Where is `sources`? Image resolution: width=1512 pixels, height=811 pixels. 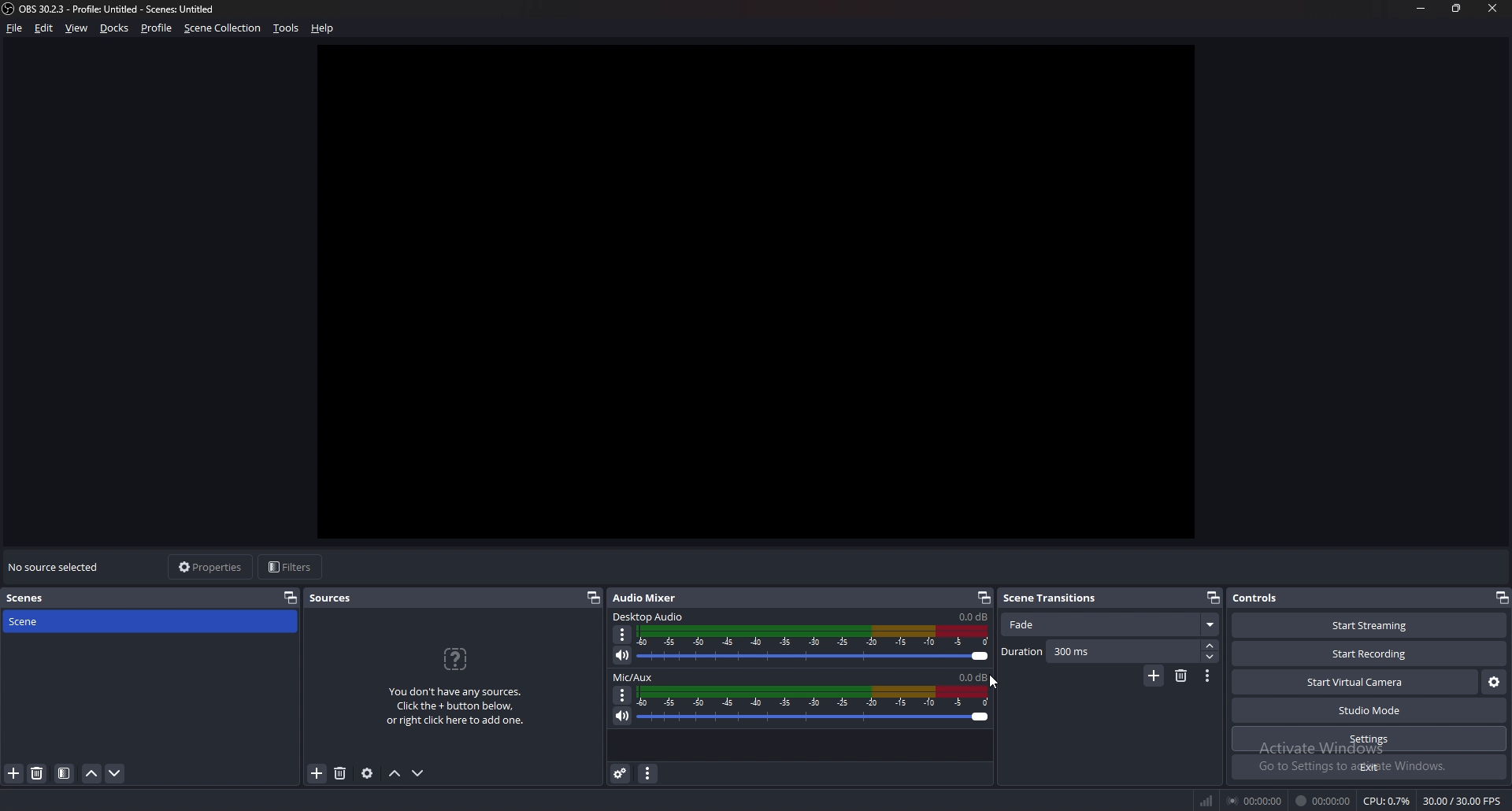 sources is located at coordinates (335, 598).